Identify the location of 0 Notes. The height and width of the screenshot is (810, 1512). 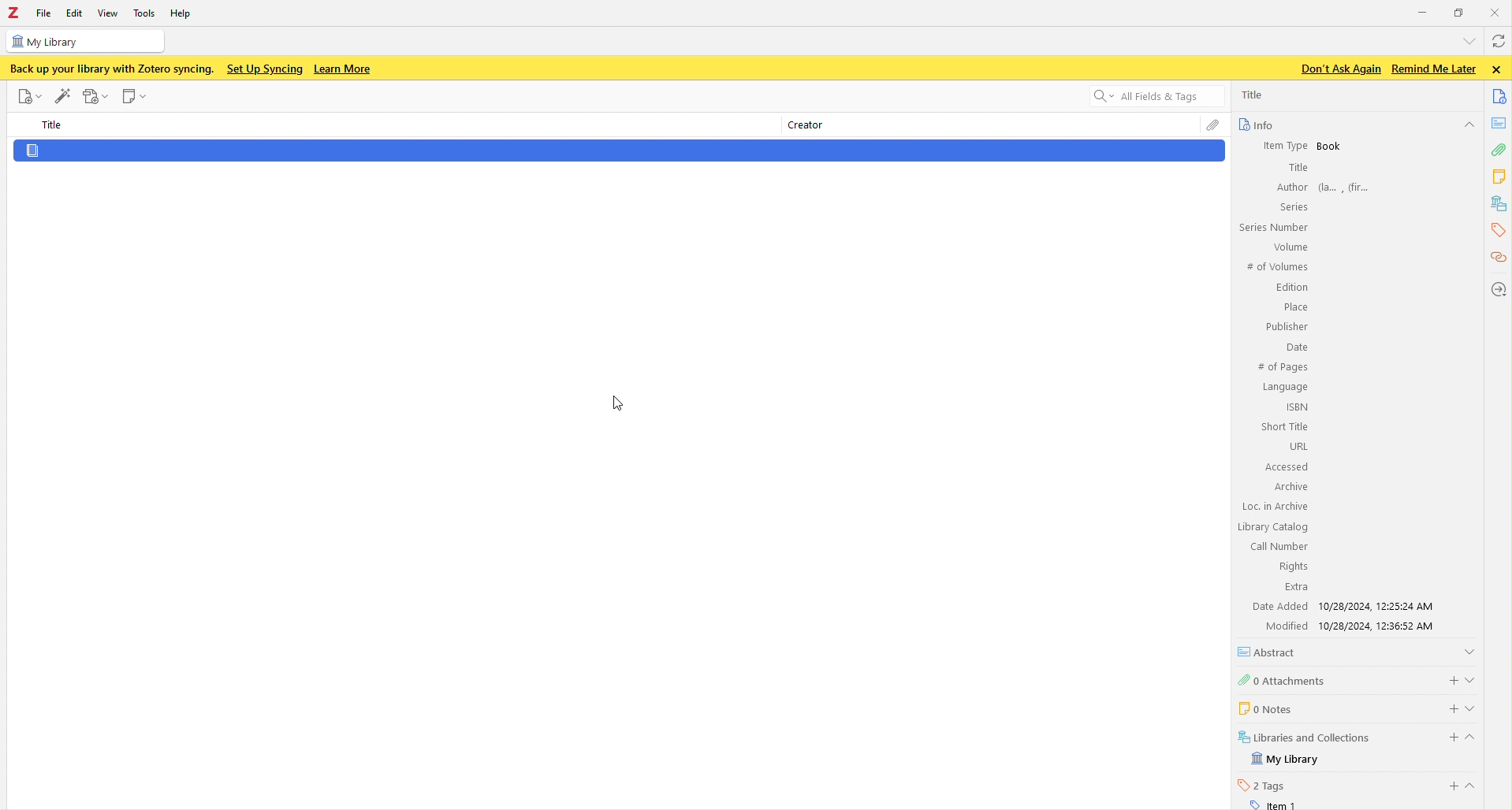
(1264, 708).